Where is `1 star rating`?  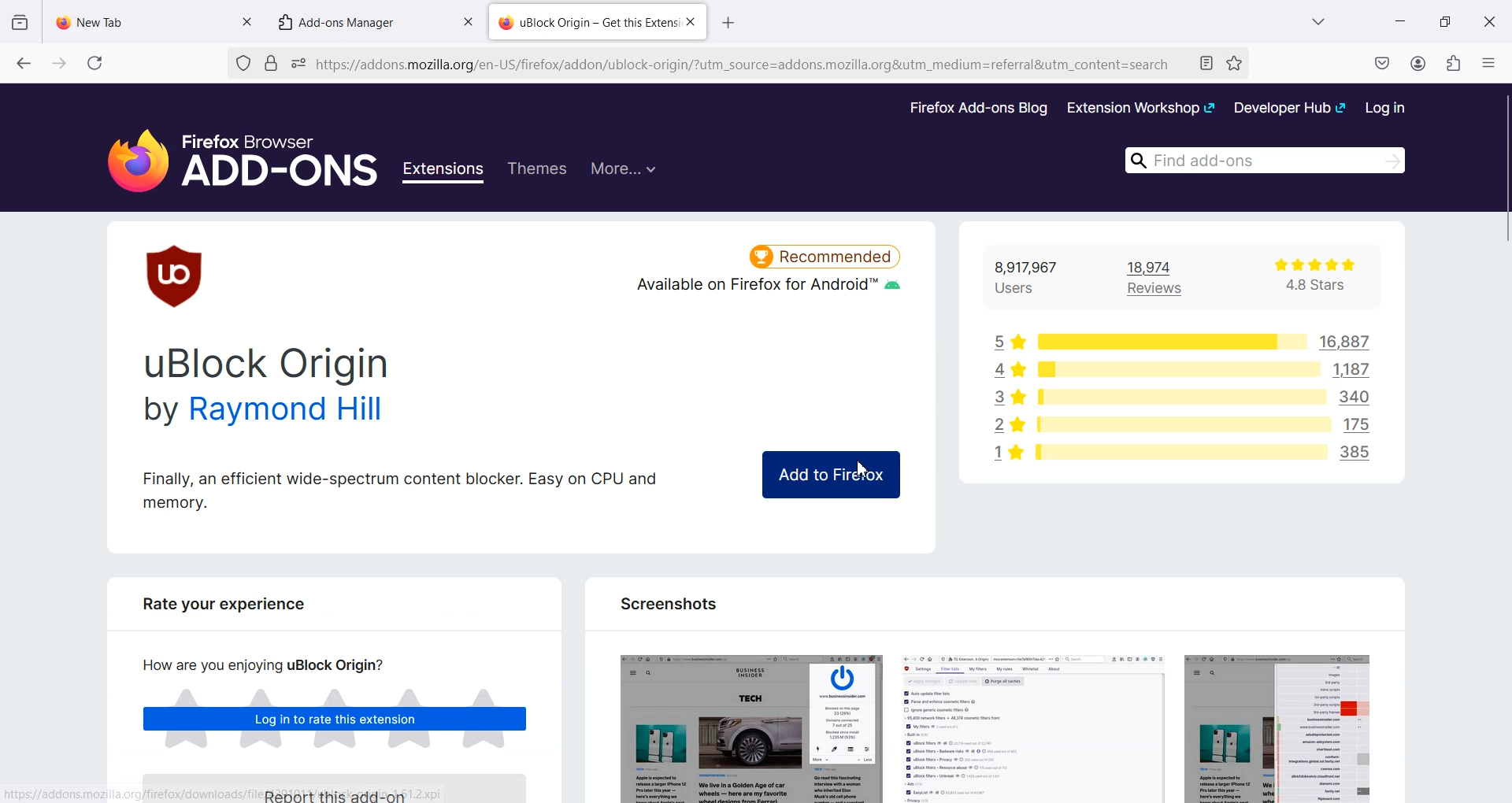
1 star rating is located at coordinates (1002, 456).